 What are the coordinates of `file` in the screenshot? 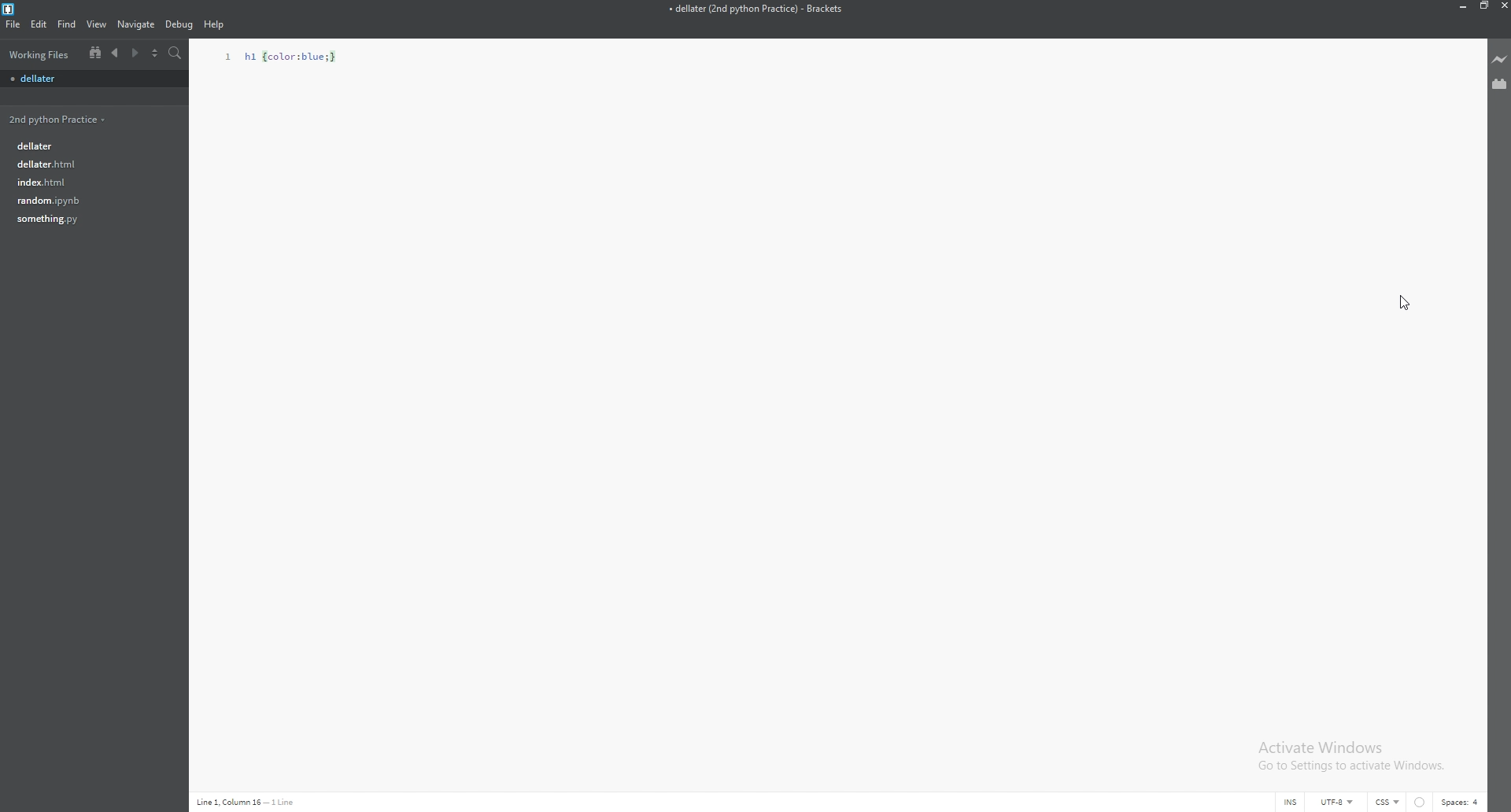 It's located at (86, 181).